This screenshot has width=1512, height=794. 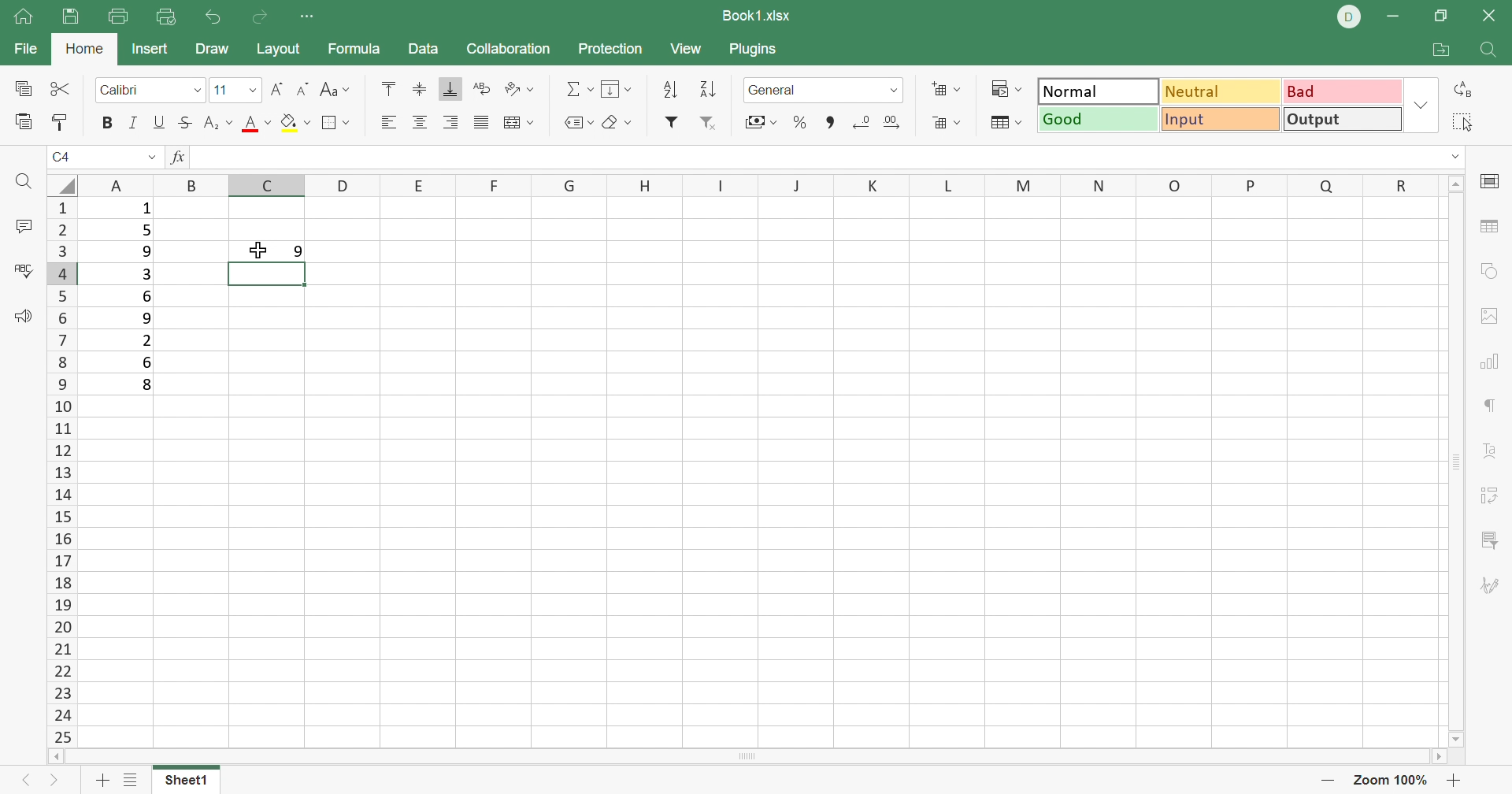 I want to click on Currency style, so click(x=760, y=123).